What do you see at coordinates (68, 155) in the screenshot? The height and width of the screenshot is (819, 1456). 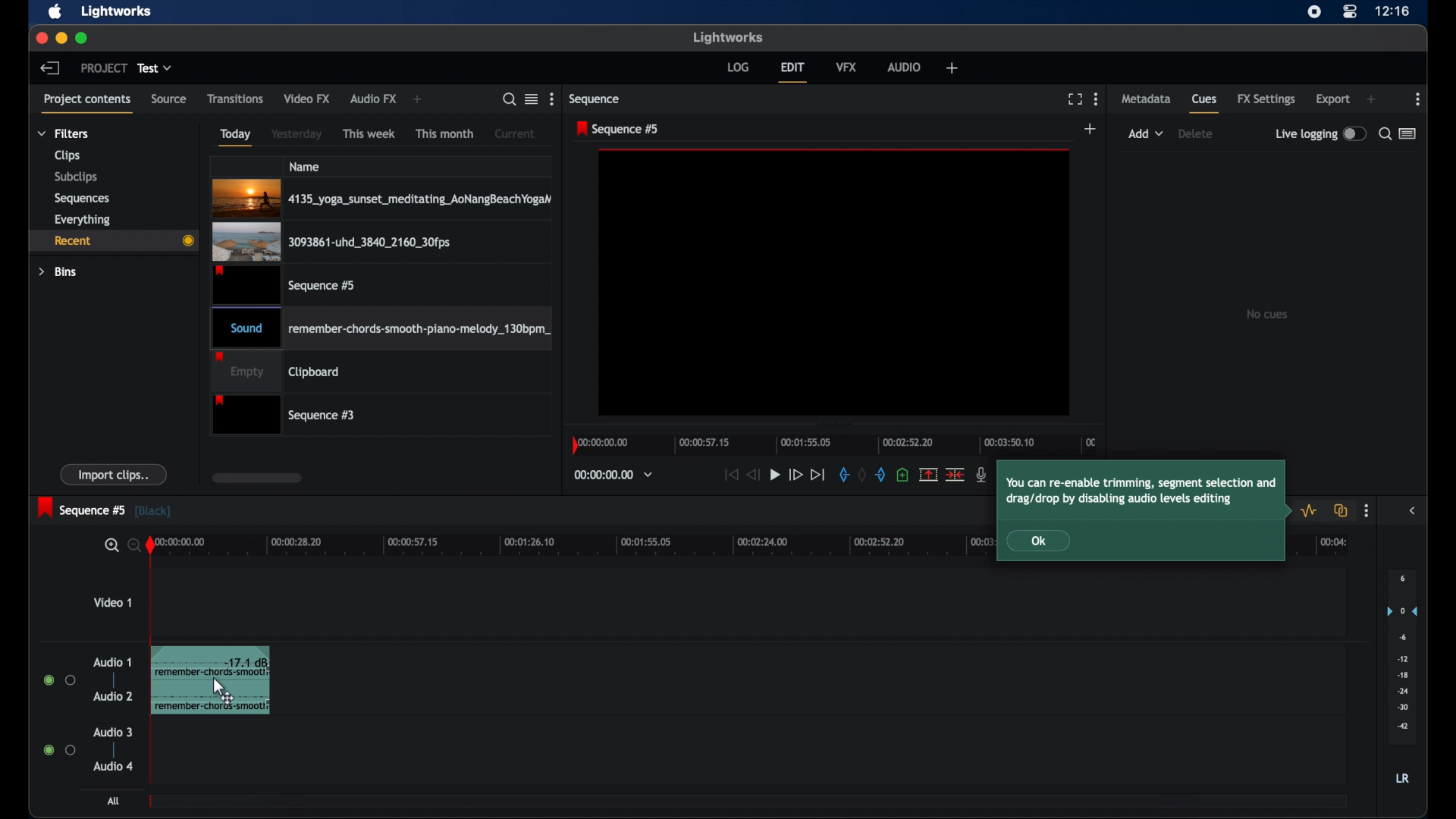 I see `clips` at bounding box center [68, 155].